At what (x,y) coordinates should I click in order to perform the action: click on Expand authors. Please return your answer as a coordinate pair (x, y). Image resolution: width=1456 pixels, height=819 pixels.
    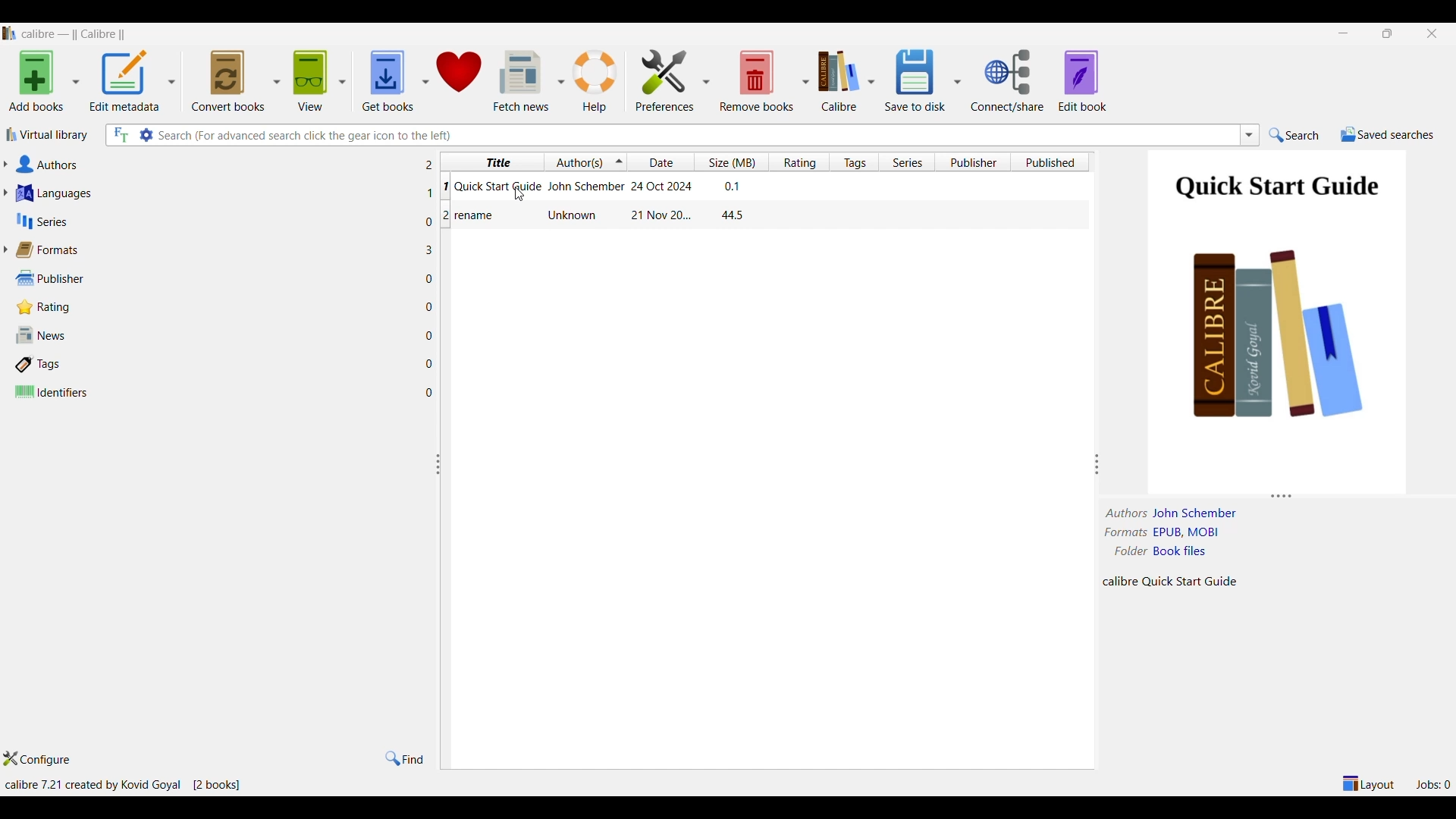
    Looking at the image, I should click on (5, 164).